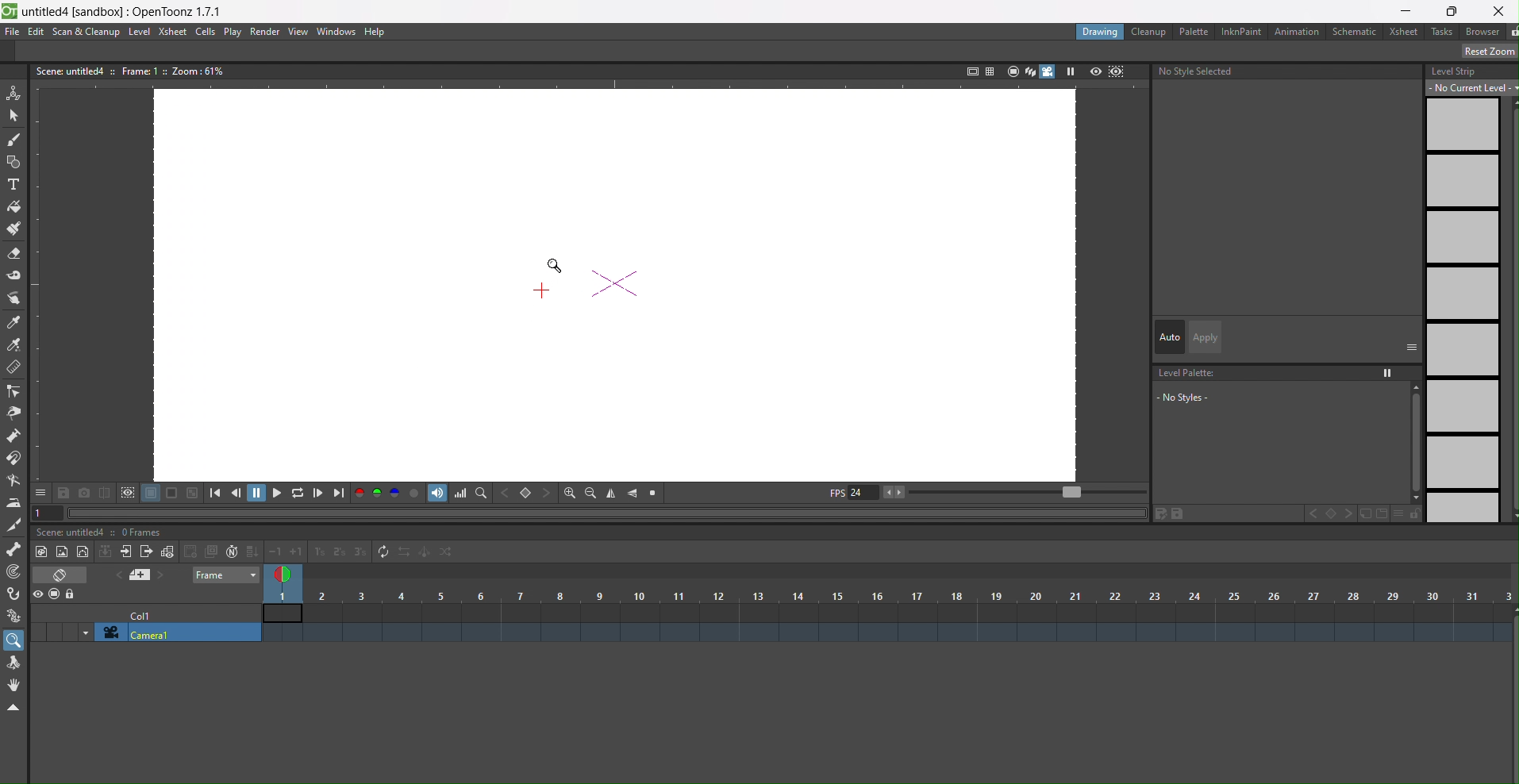  What do you see at coordinates (173, 32) in the screenshot?
I see `xsheet` at bounding box center [173, 32].